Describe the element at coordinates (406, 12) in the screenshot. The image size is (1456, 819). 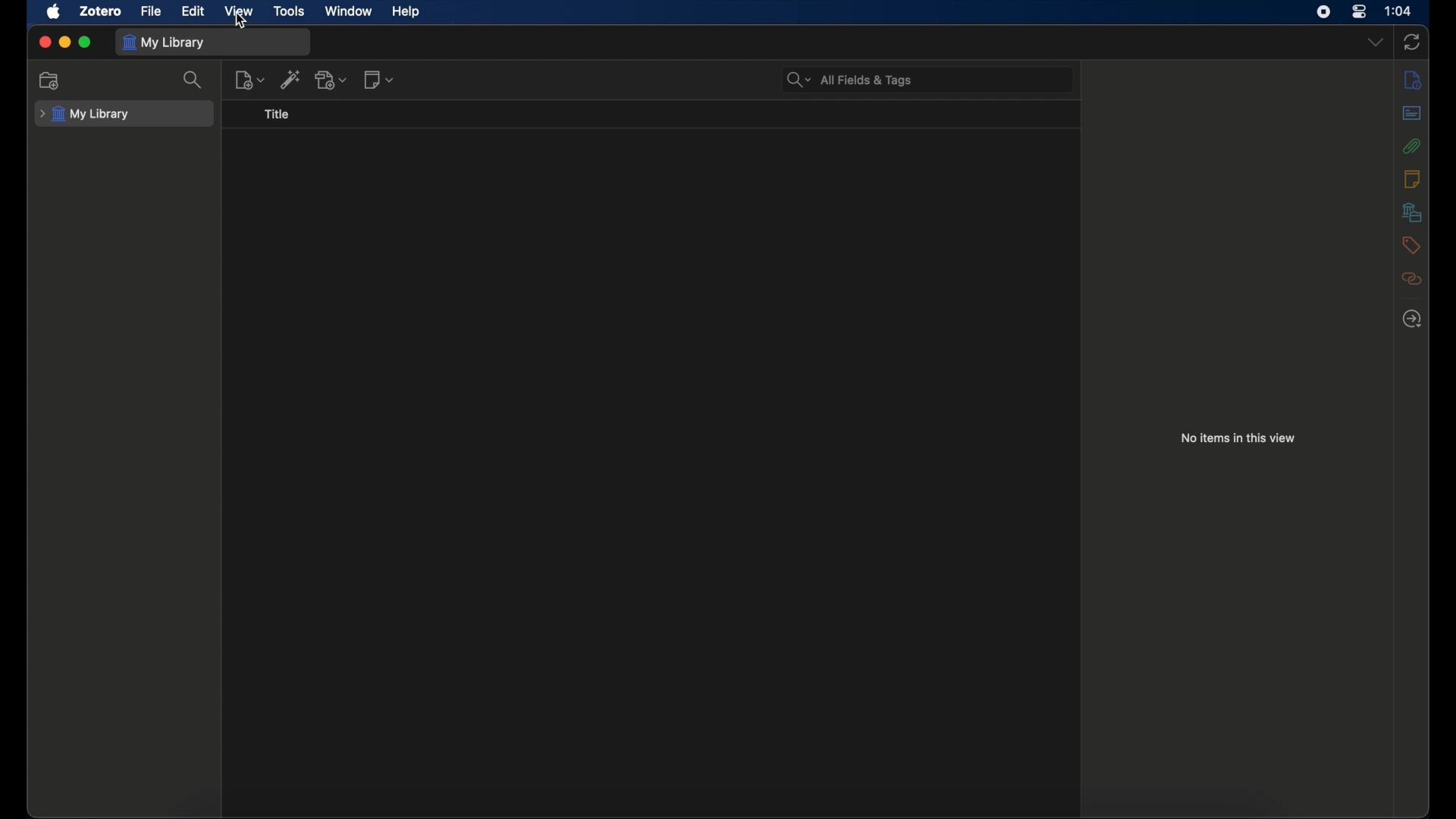
I see `help` at that location.